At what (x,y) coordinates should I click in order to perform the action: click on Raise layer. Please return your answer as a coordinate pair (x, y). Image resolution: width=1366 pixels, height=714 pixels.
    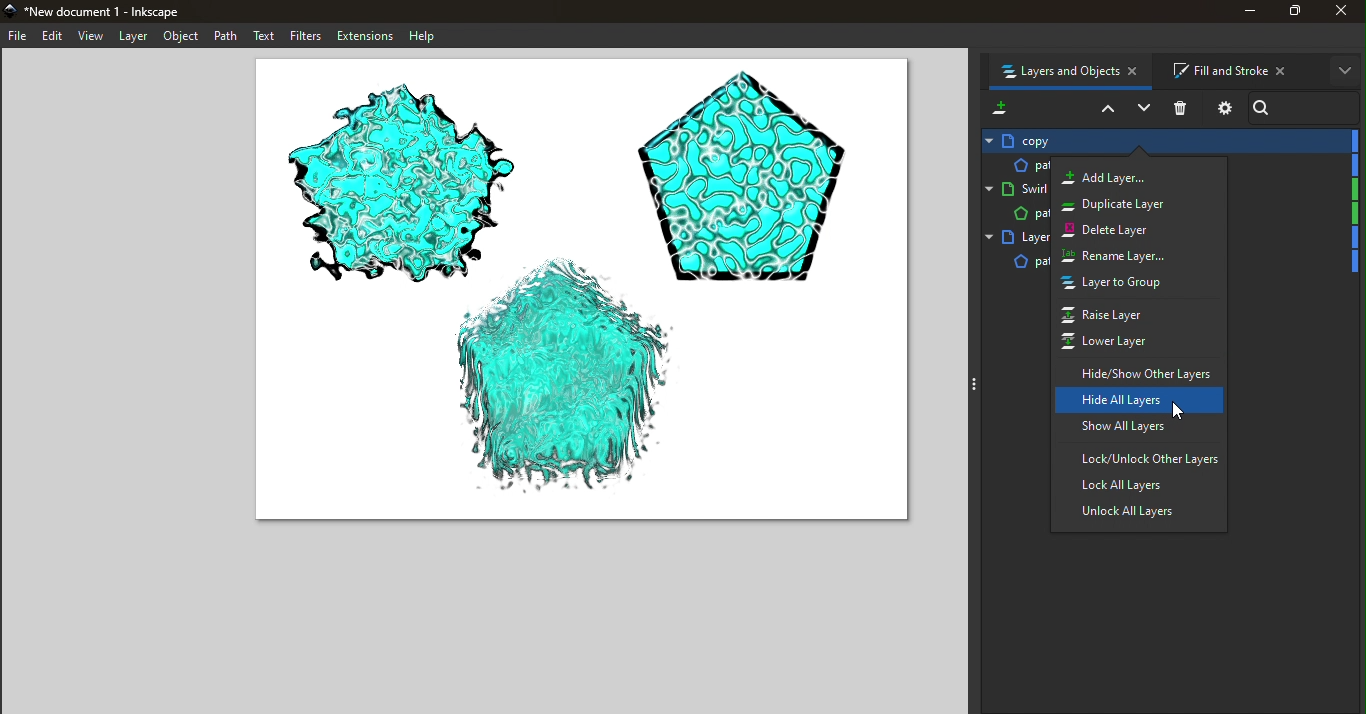
    Looking at the image, I should click on (1128, 314).